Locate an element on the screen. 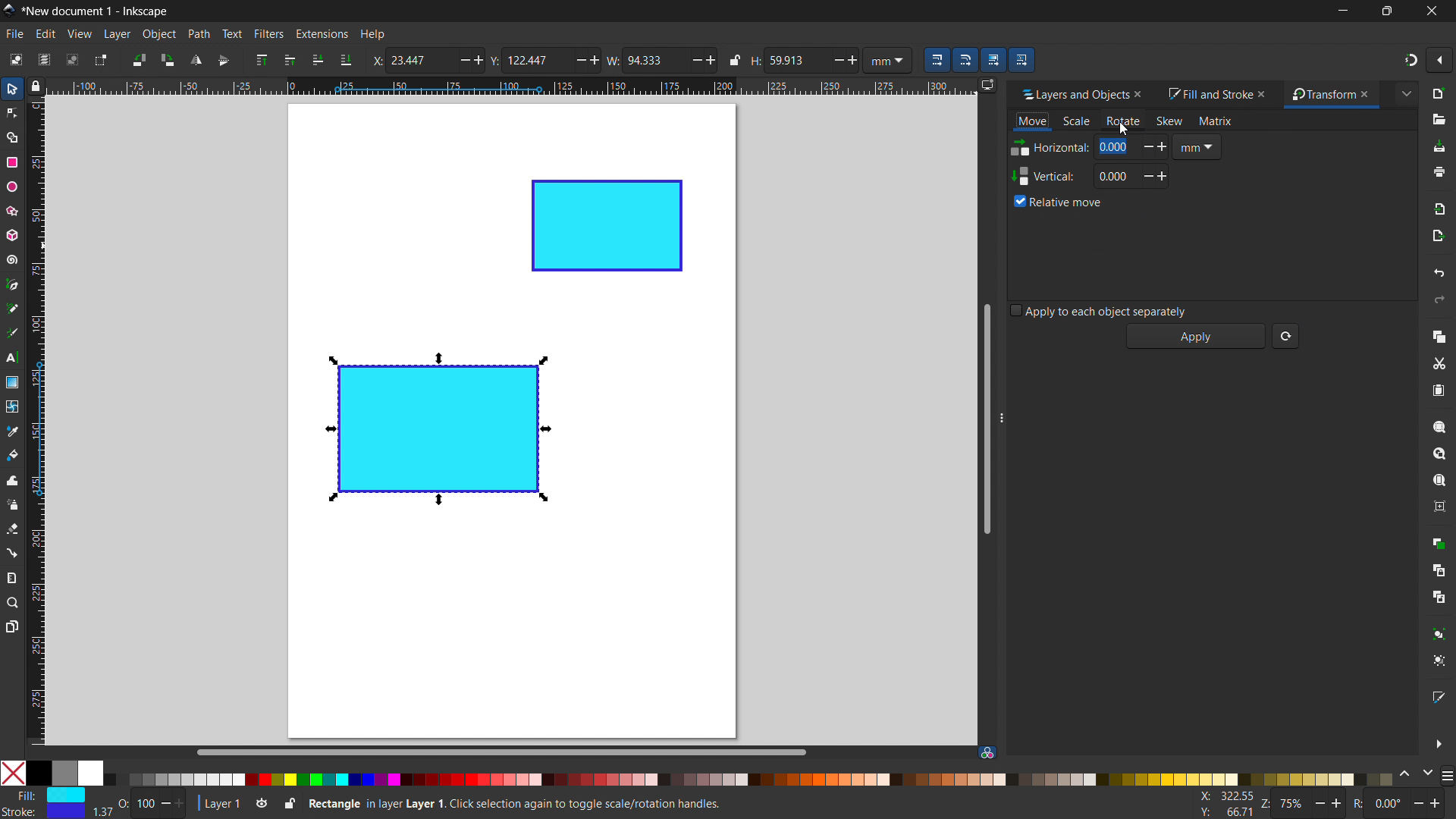 The image size is (1456, 819). width of stroke is located at coordinates (102, 812).